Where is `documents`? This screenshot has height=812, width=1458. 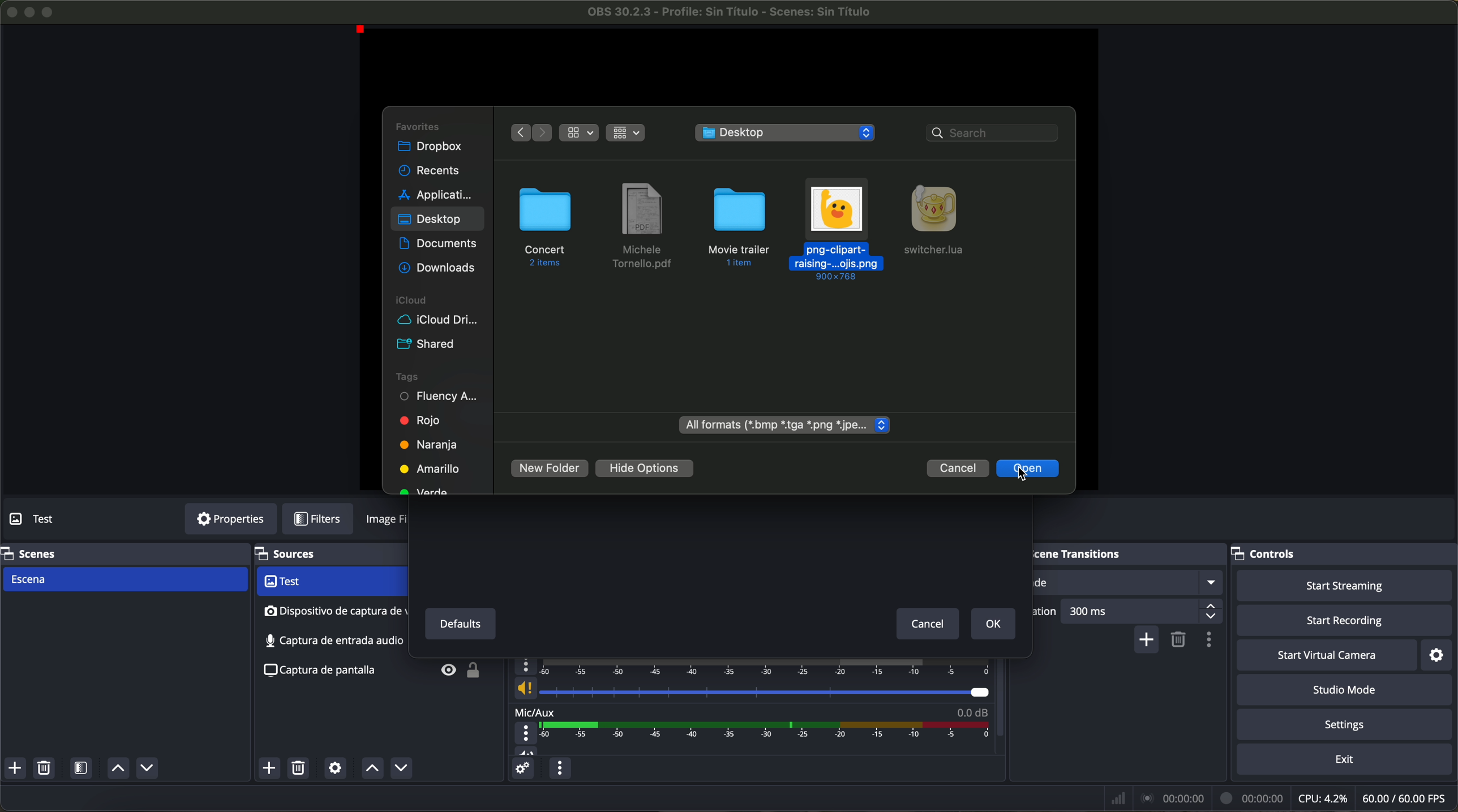
documents is located at coordinates (439, 244).